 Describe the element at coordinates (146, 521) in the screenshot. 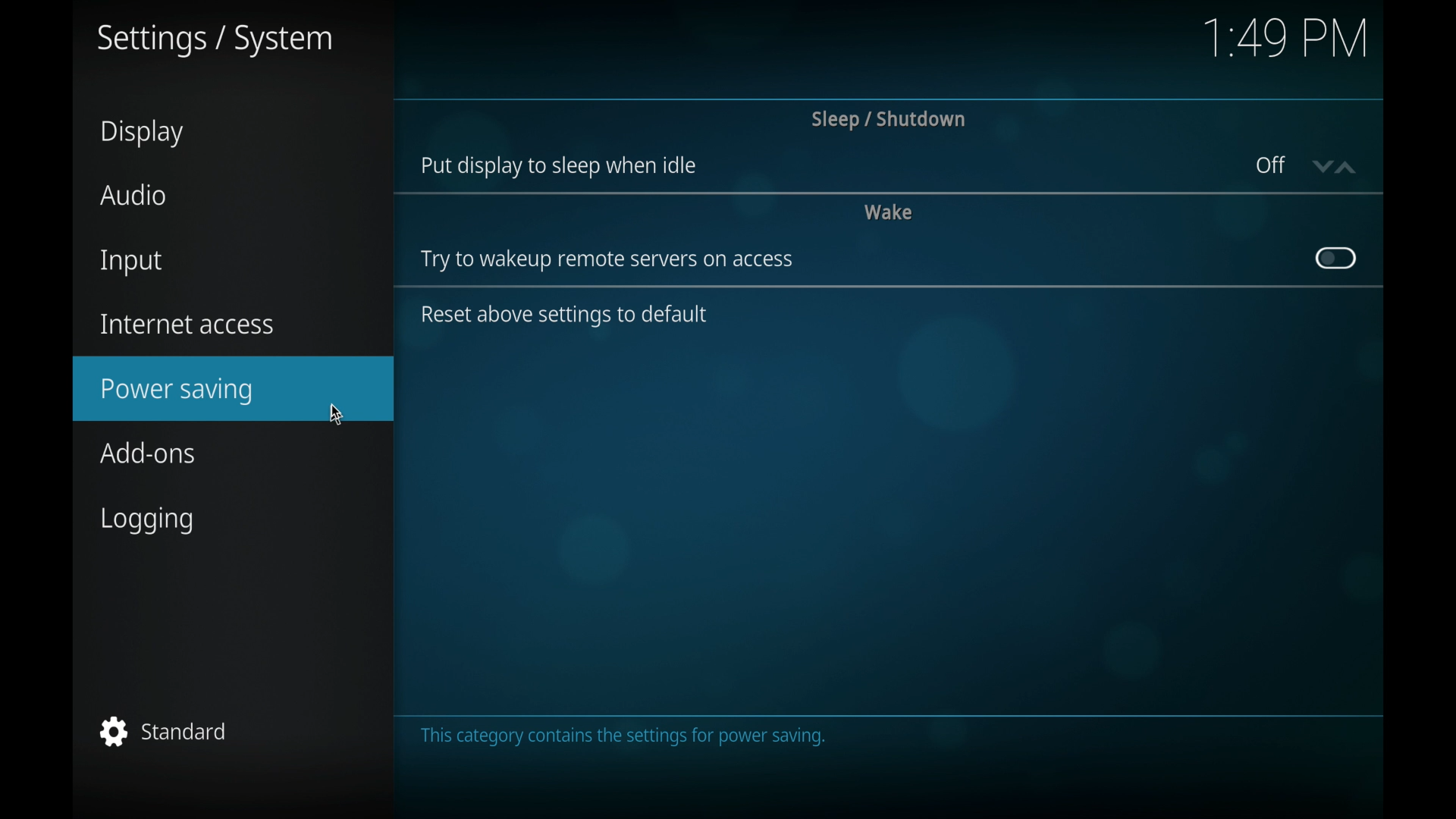

I see `logging` at that location.